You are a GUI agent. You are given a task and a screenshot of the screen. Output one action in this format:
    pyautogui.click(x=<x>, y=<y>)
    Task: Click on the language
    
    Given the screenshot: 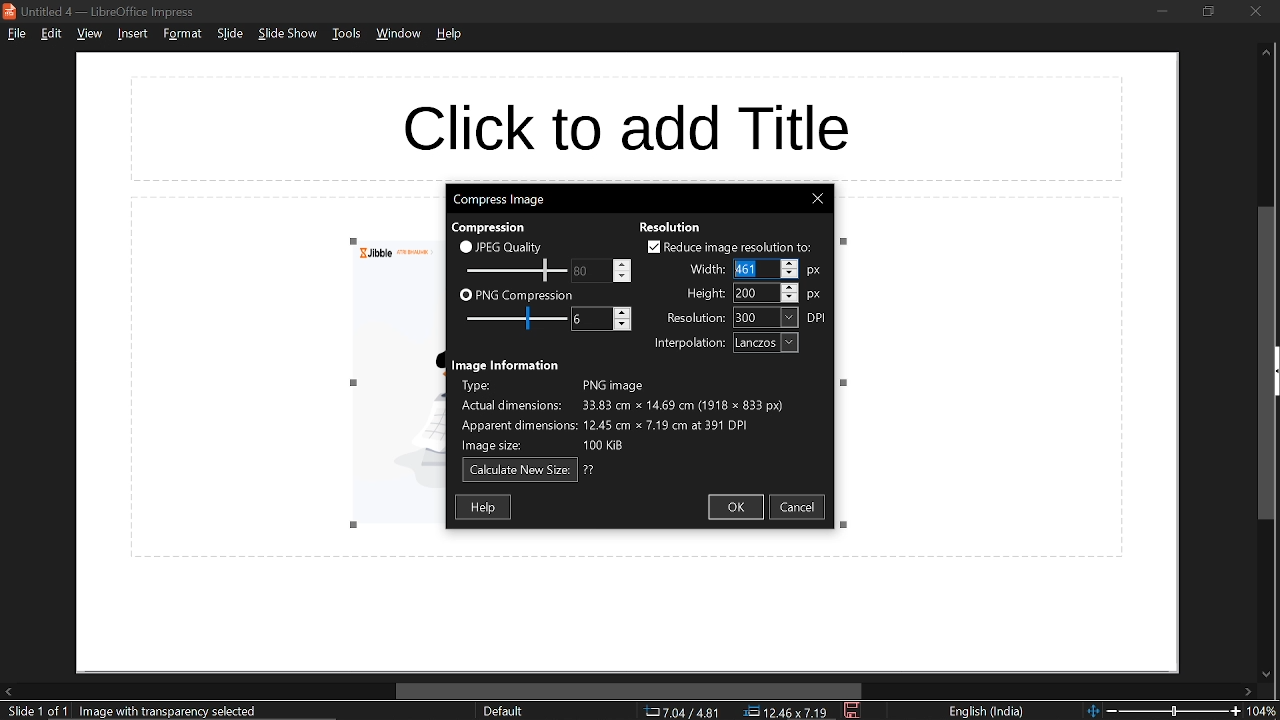 What is the action you would take?
    pyautogui.click(x=989, y=712)
    